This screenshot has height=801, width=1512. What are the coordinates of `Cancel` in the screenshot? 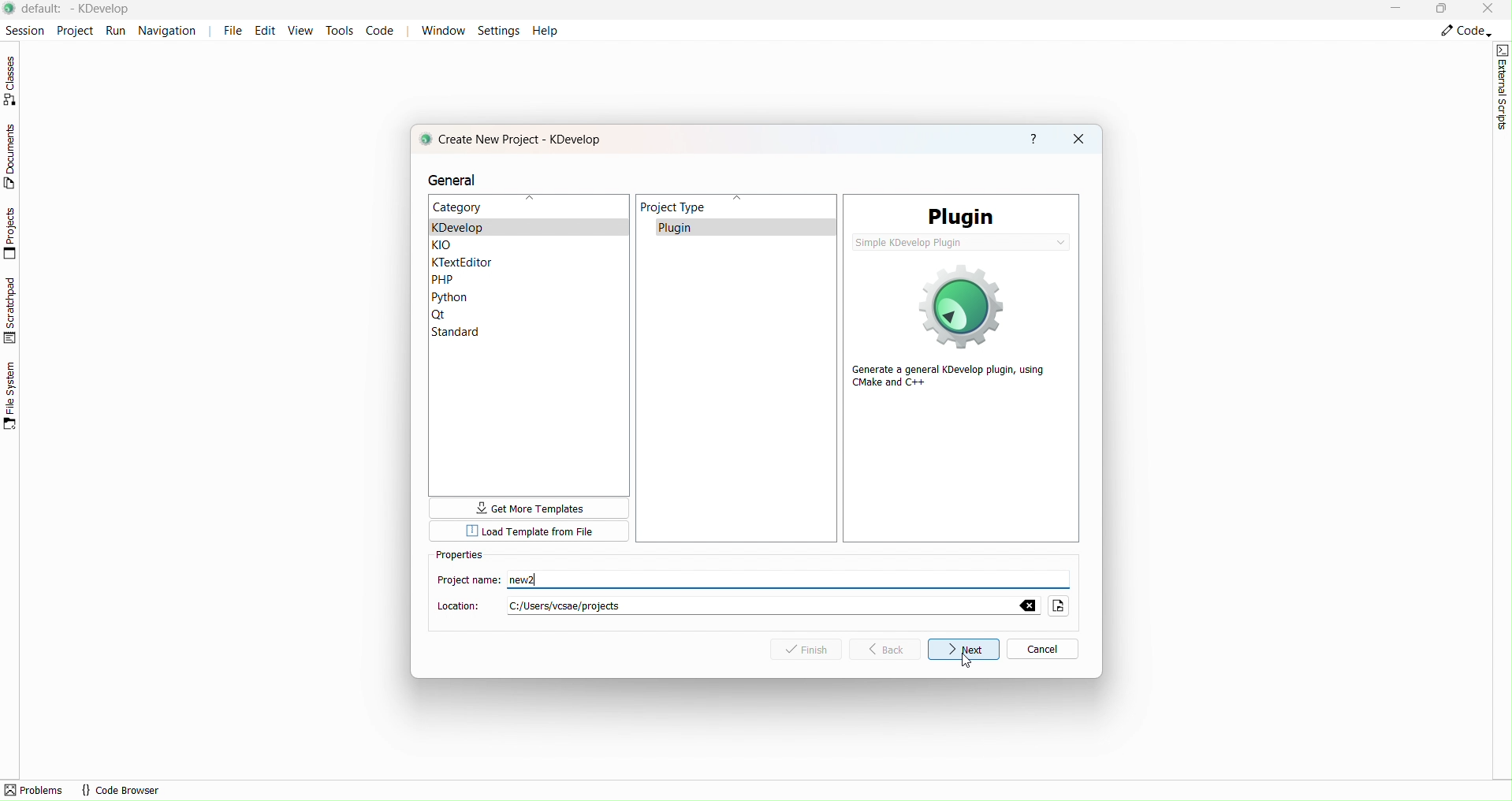 It's located at (1041, 651).